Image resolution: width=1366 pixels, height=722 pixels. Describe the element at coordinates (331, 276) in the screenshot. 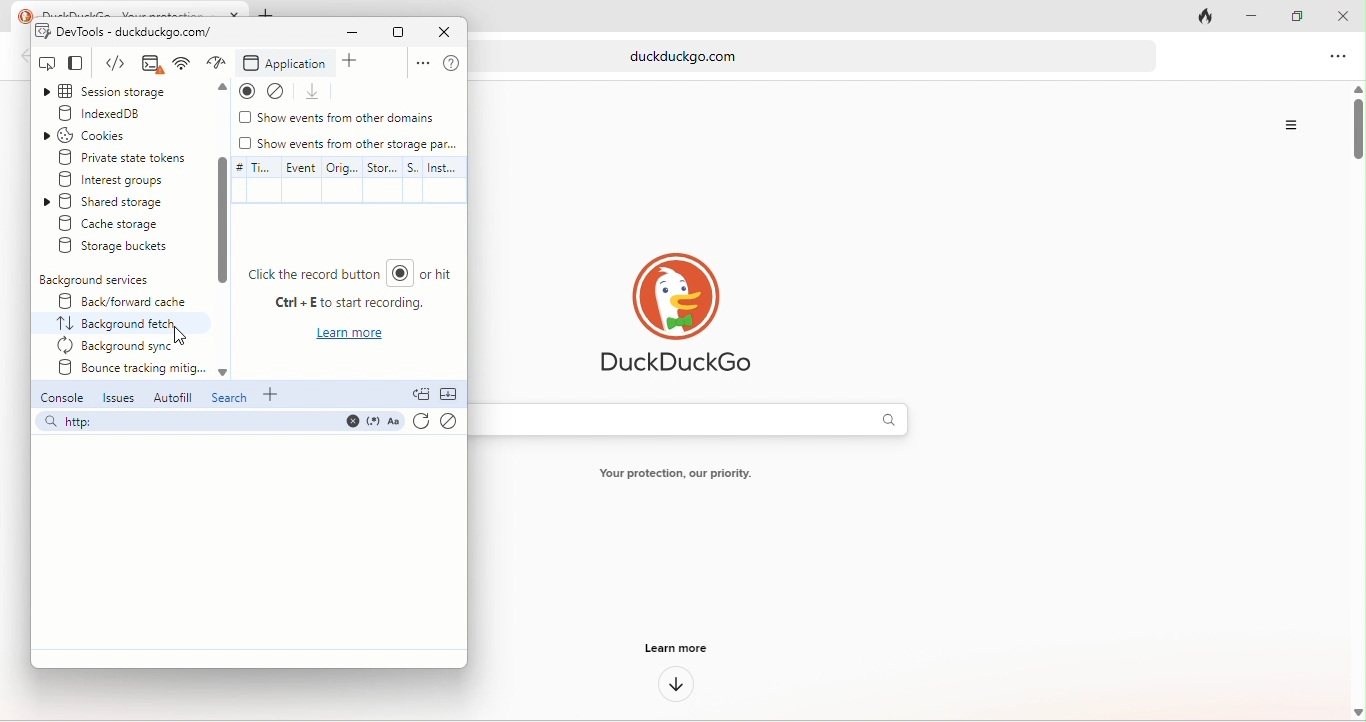

I see `click record button` at that location.